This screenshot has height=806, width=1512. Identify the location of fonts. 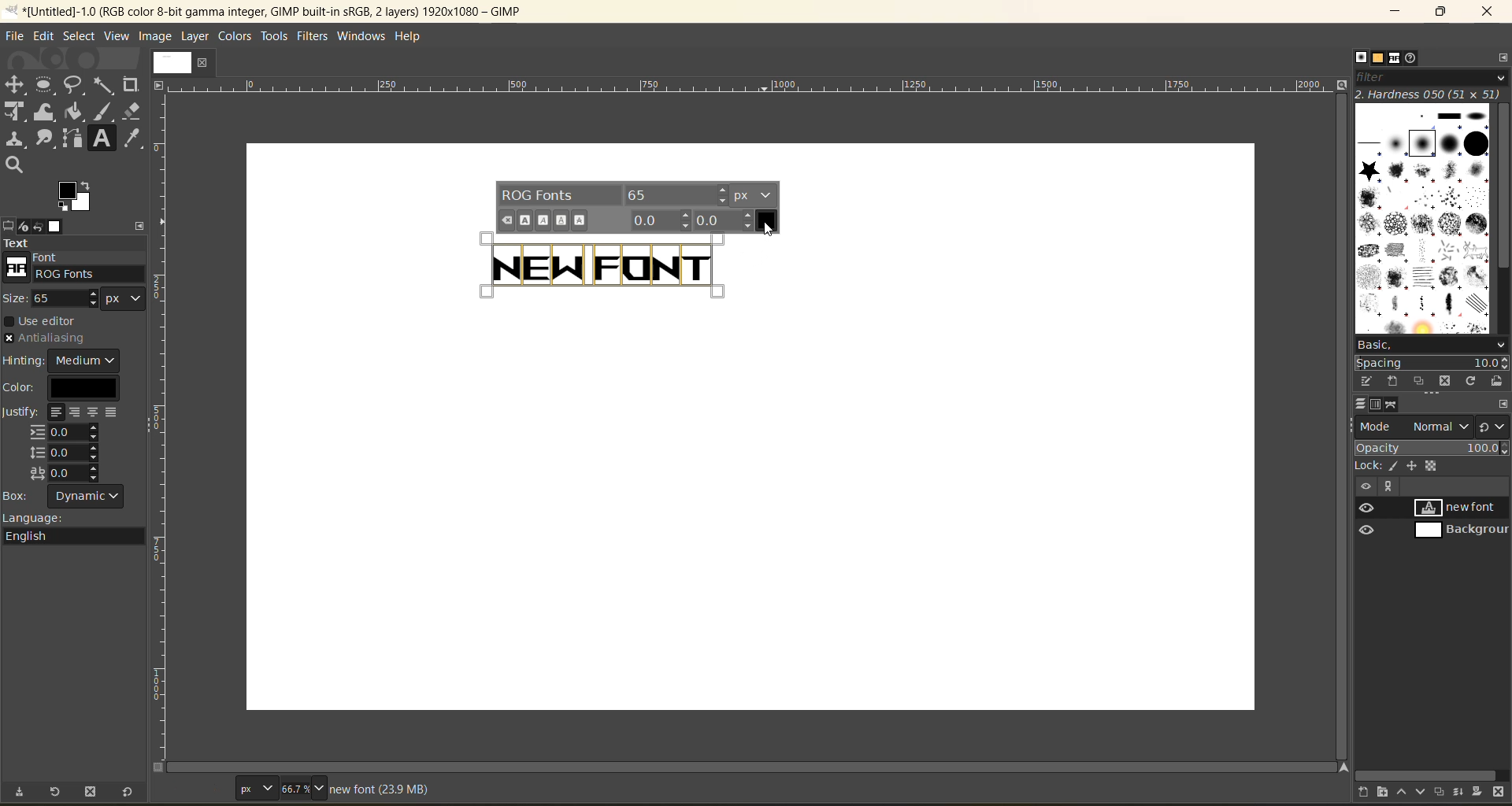
(1398, 59).